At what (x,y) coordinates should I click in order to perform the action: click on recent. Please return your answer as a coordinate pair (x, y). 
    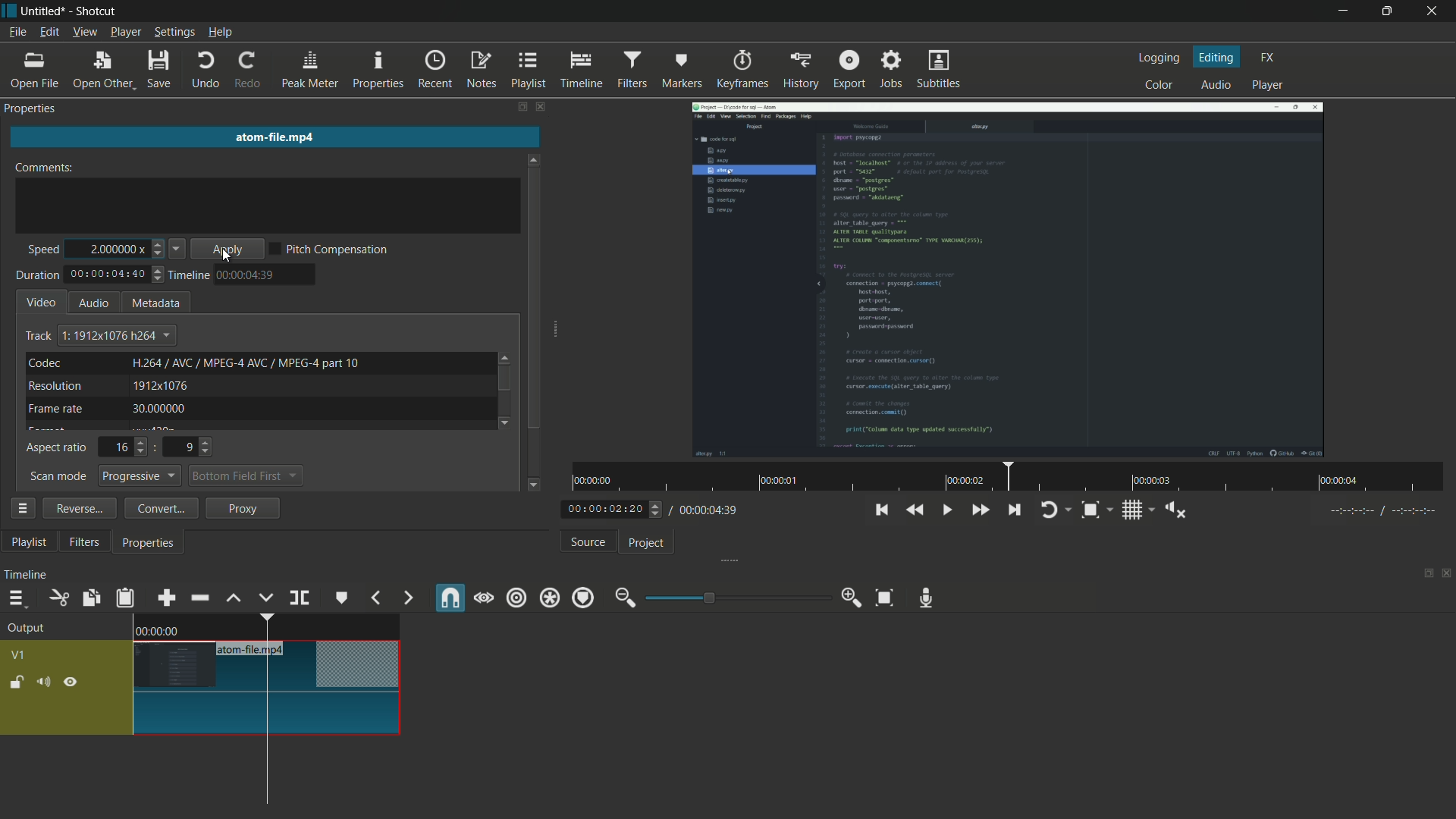
    Looking at the image, I should click on (433, 71).